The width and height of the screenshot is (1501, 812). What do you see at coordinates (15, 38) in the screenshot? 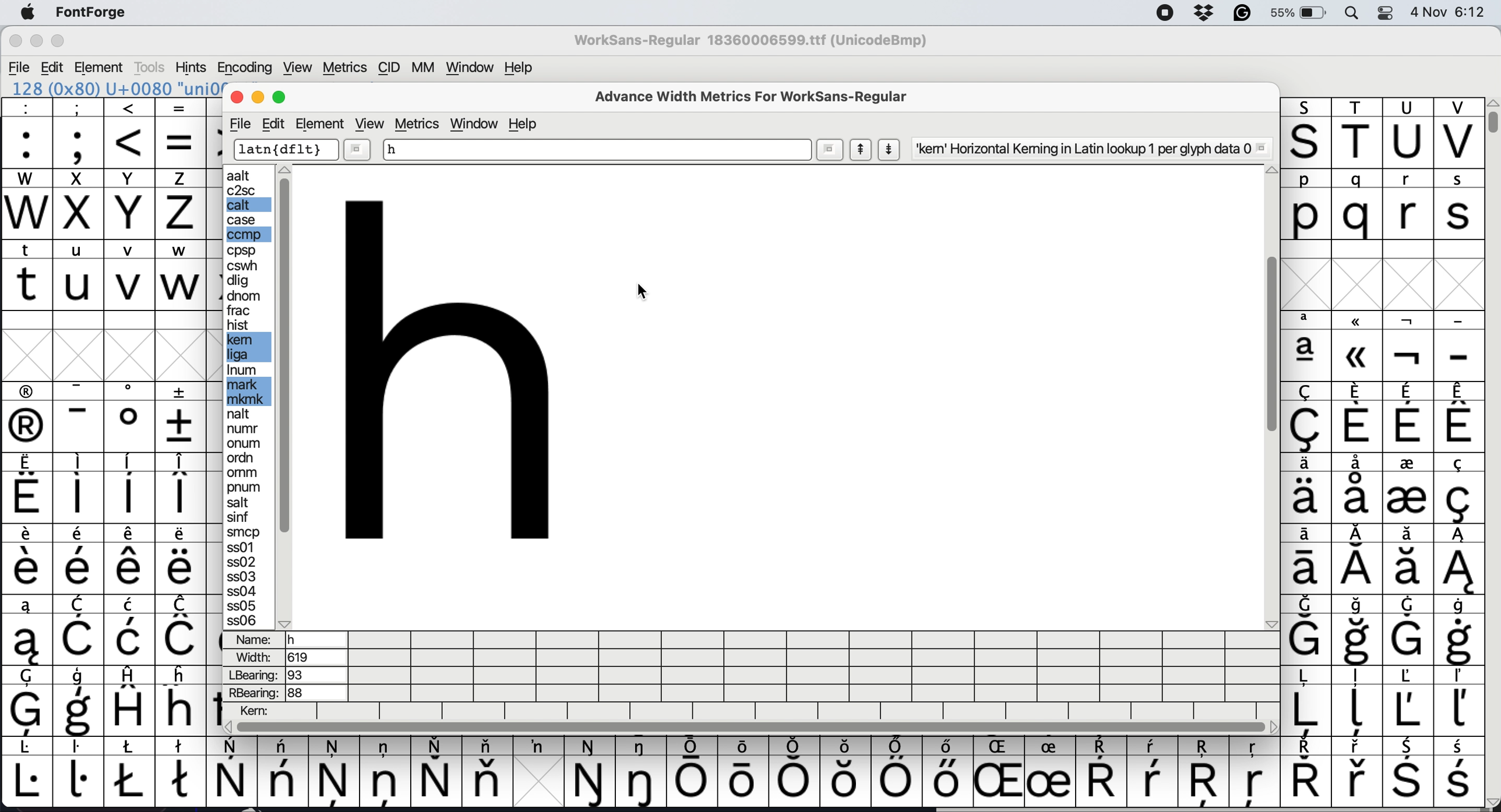
I see `Close` at bounding box center [15, 38].